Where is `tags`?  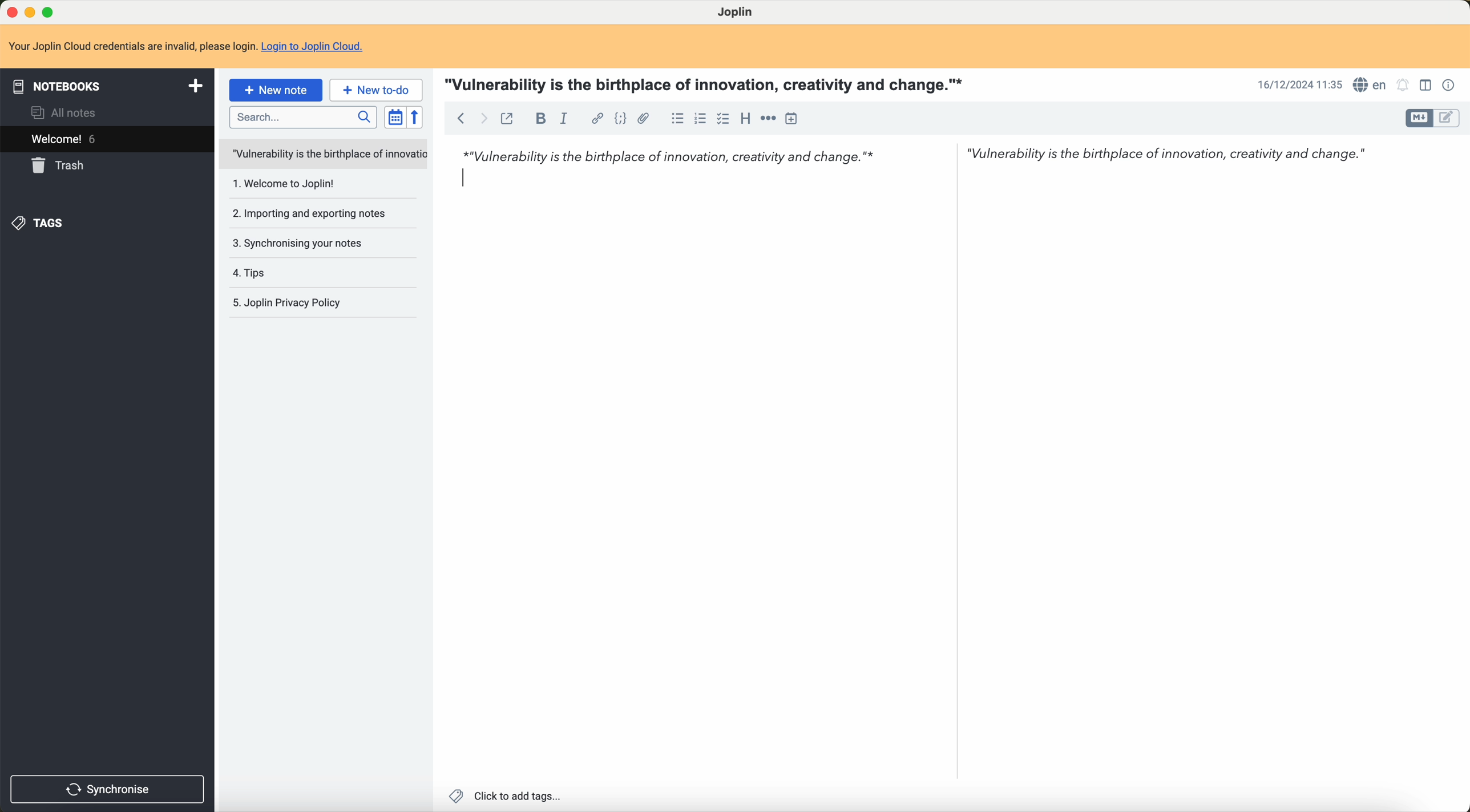
tags is located at coordinates (42, 223).